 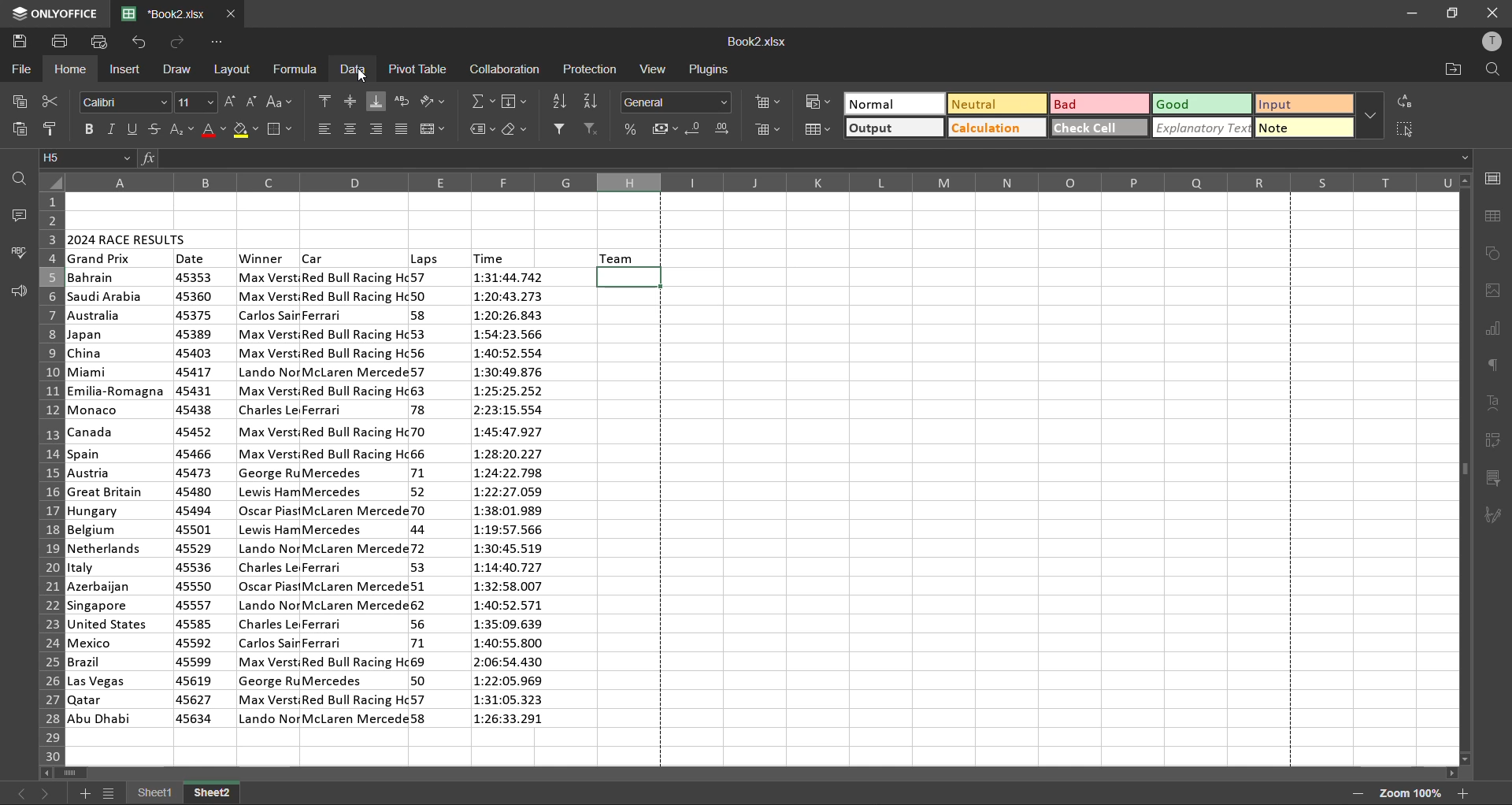 What do you see at coordinates (117, 498) in the screenshot?
I see `country names` at bounding box center [117, 498].